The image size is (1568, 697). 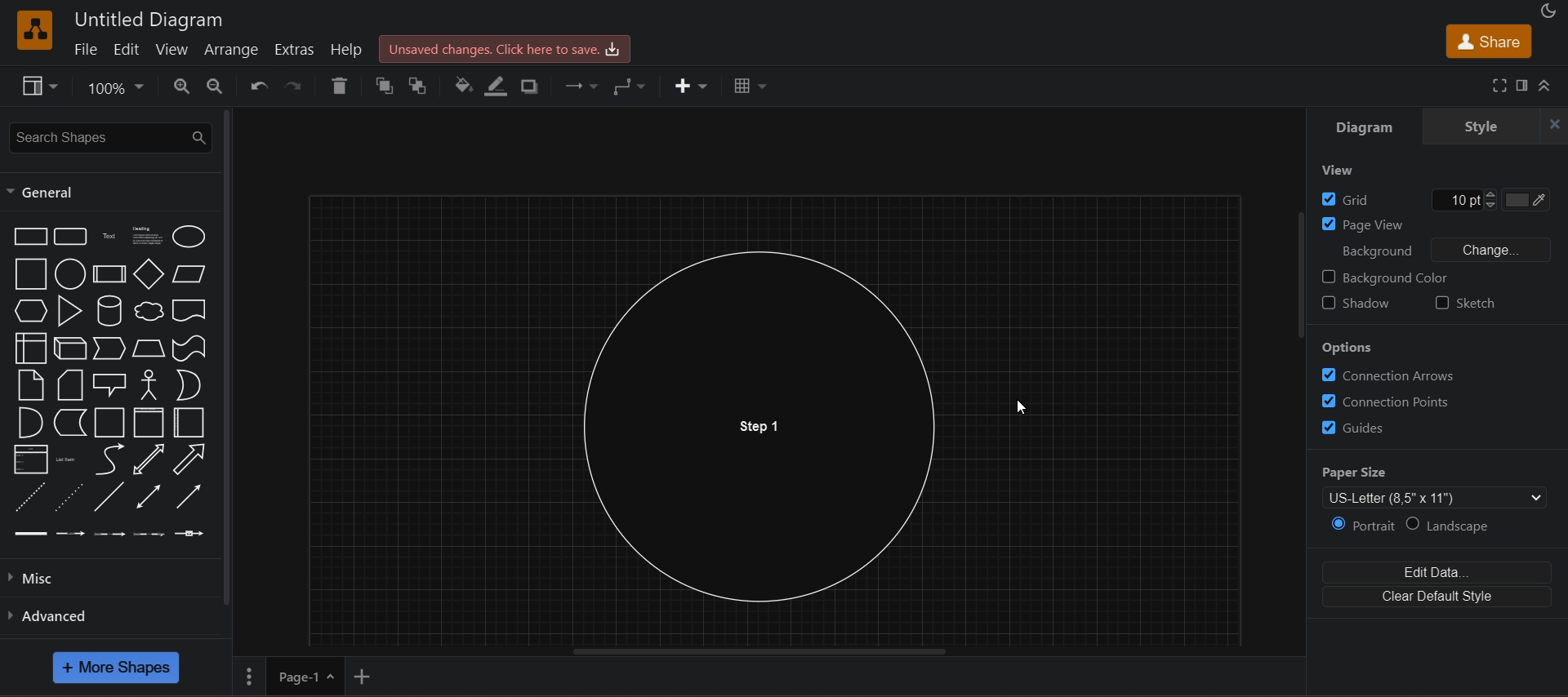 I want to click on card, so click(x=69, y=386).